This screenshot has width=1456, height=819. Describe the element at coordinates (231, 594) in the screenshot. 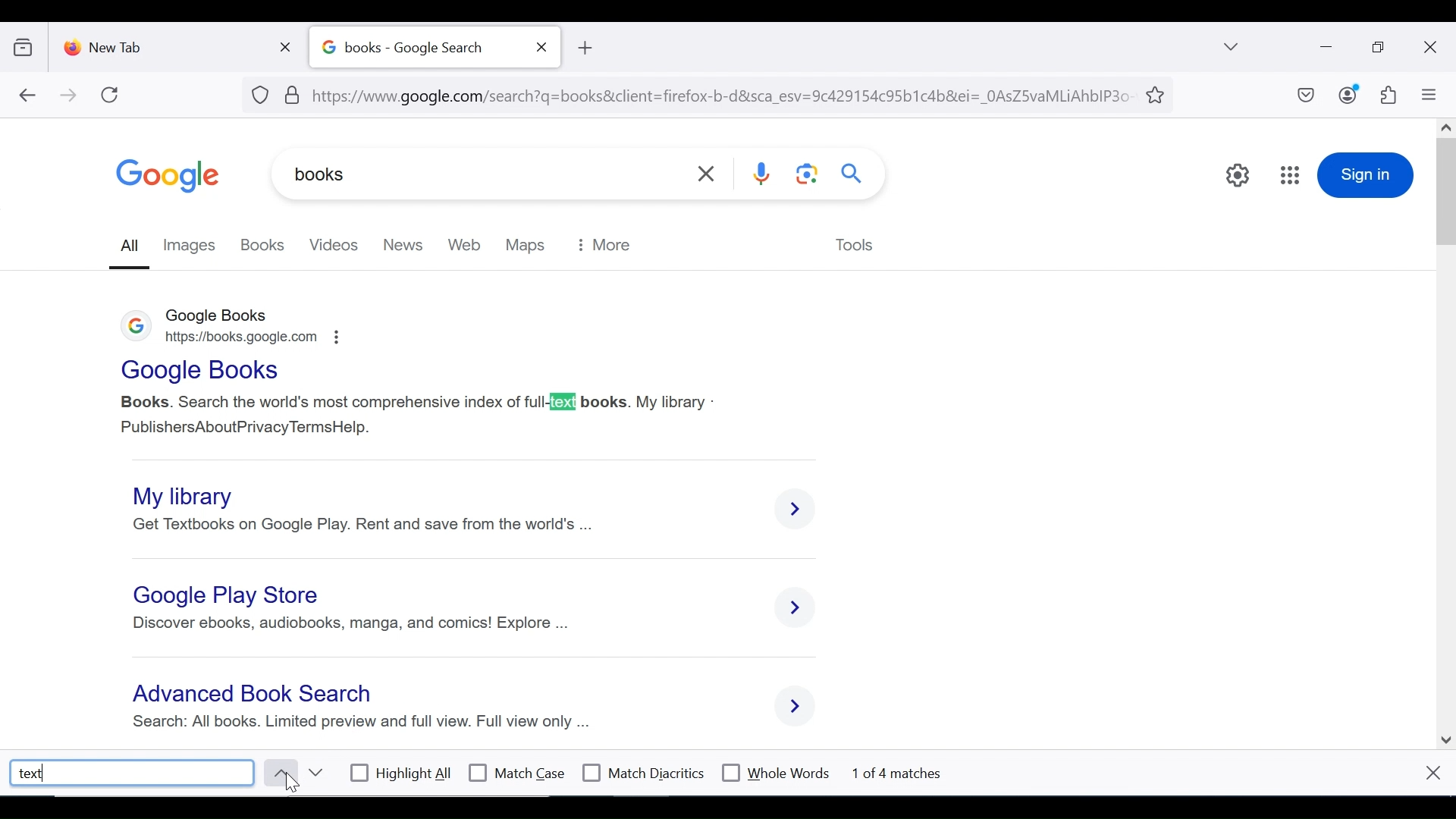

I see `Google Play Store` at that location.